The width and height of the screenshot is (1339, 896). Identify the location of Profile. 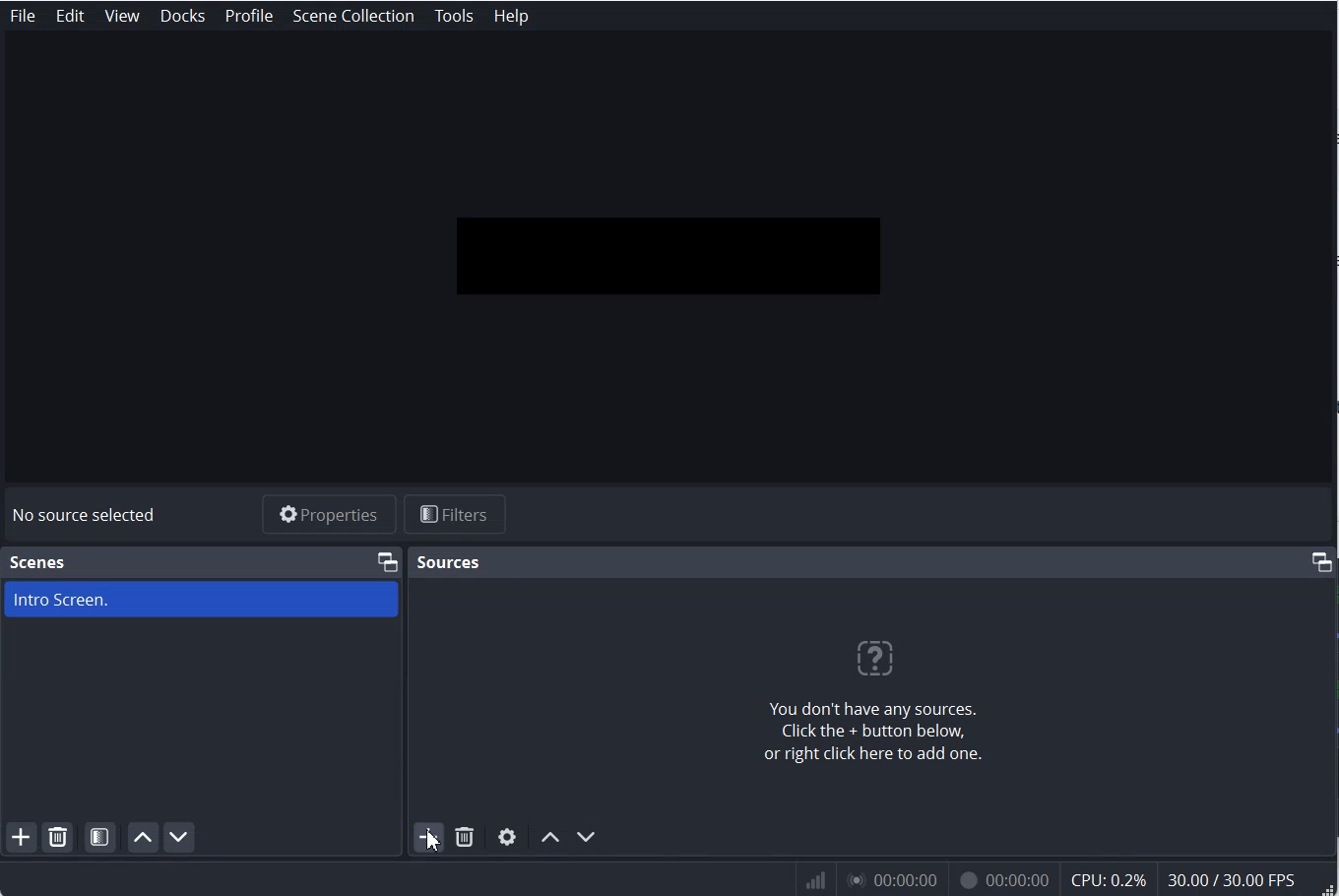
(248, 16).